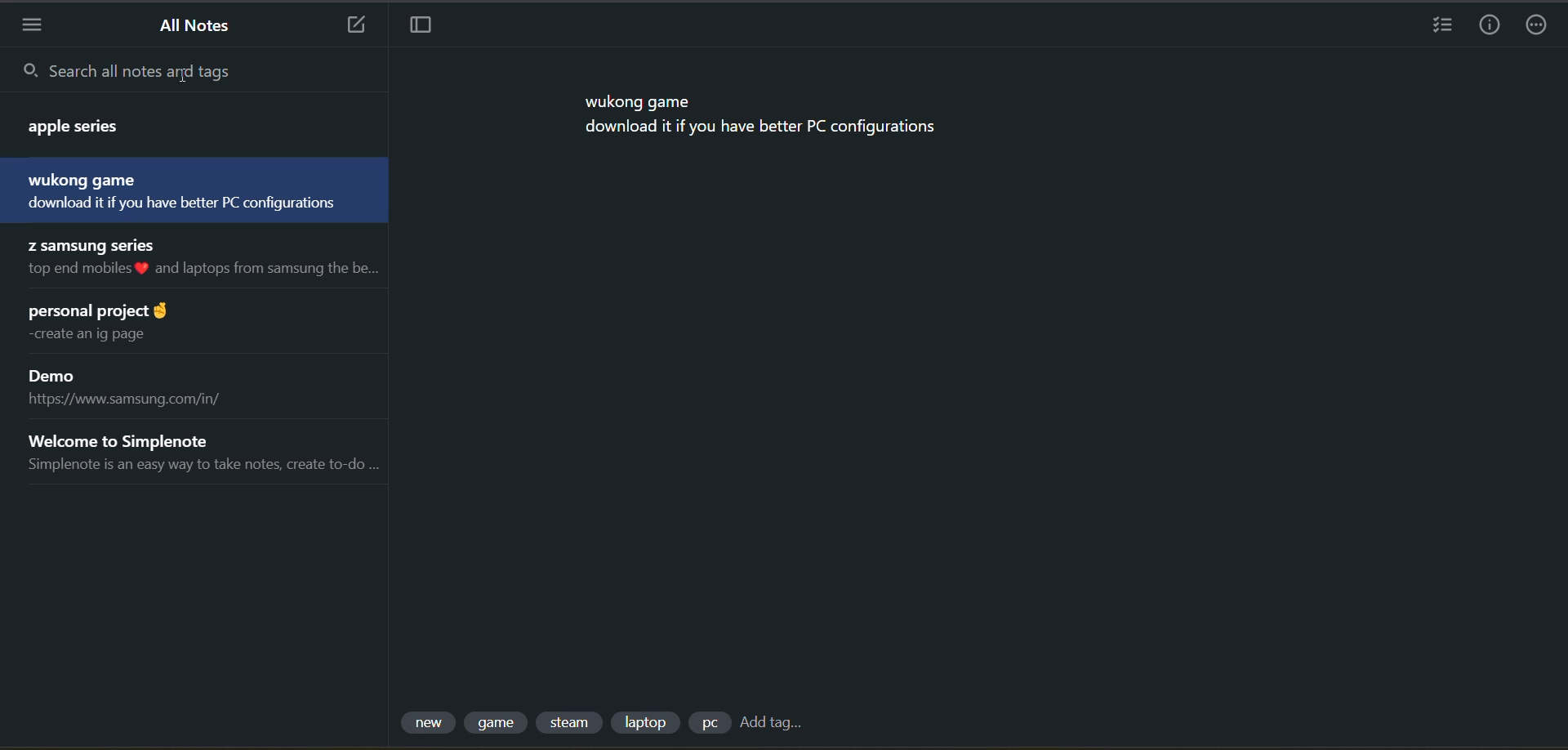 The height and width of the screenshot is (750, 1568). I want to click on info, so click(1490, 26).